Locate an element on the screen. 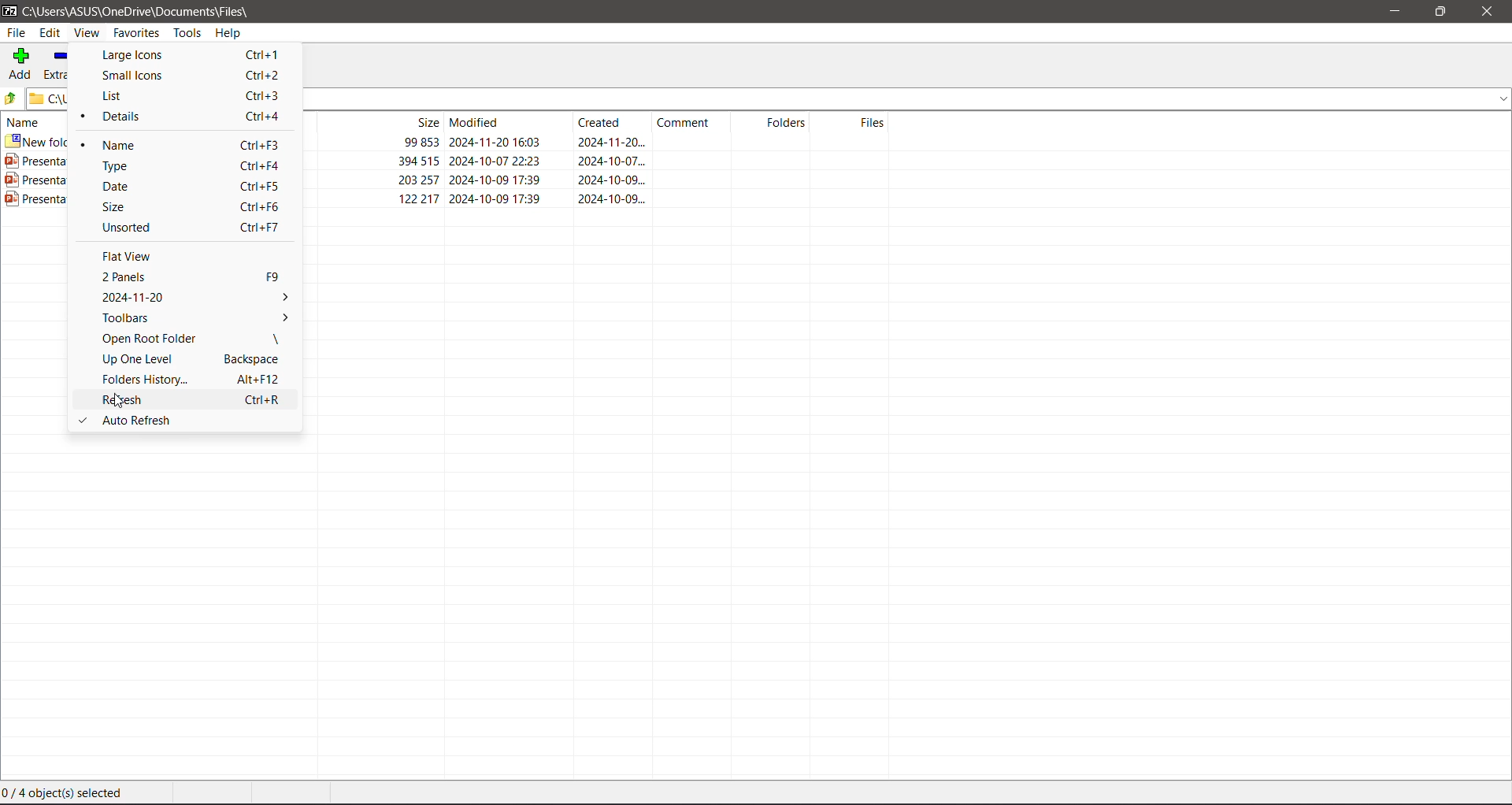 This screenshot has height=805, width=1512. Restore Down is located at coordinates (1439, 12).